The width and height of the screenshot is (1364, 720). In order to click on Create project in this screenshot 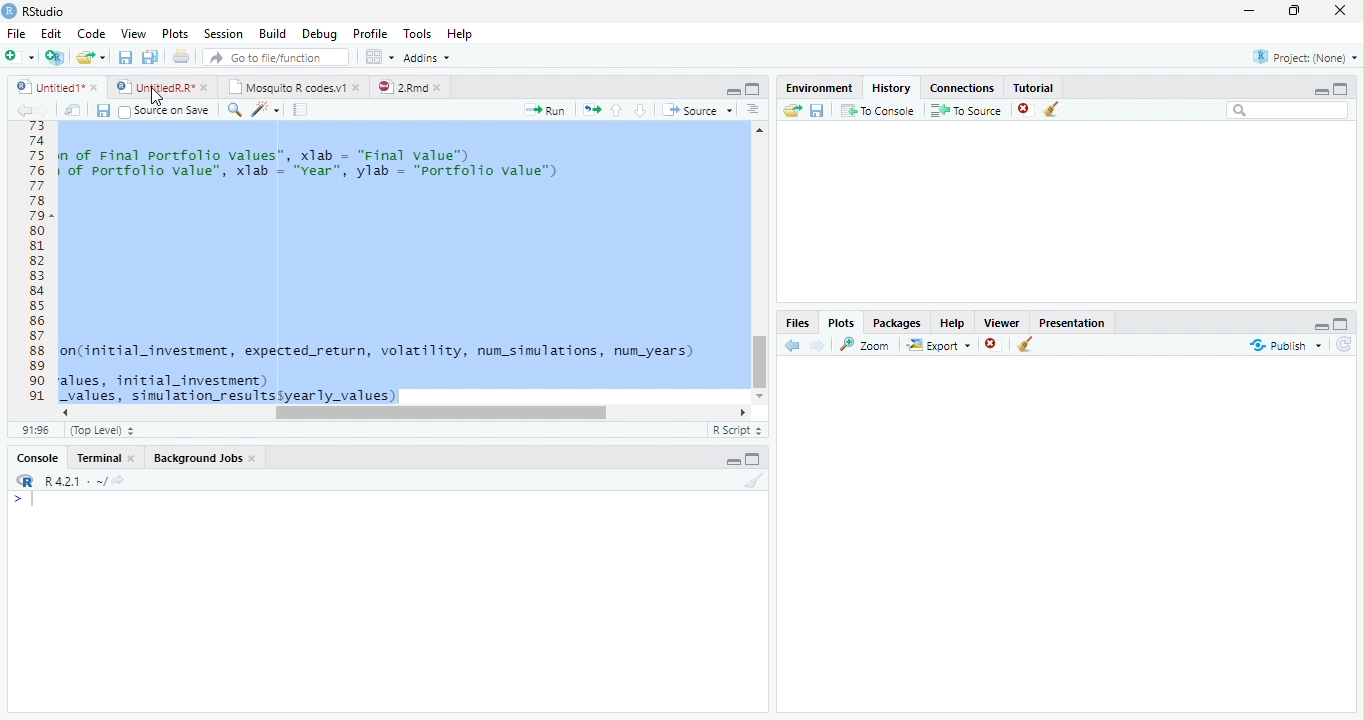, I will do `click(54, 57)`.